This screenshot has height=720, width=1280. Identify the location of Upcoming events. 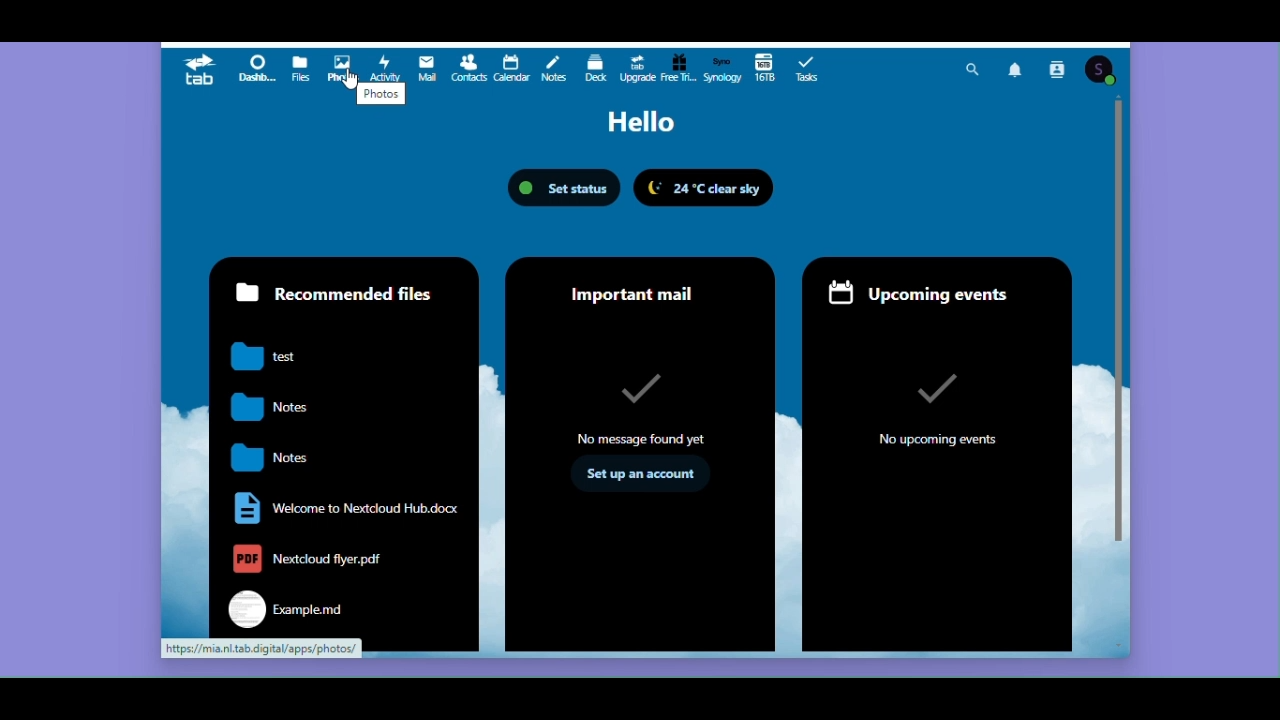
(939, 455).